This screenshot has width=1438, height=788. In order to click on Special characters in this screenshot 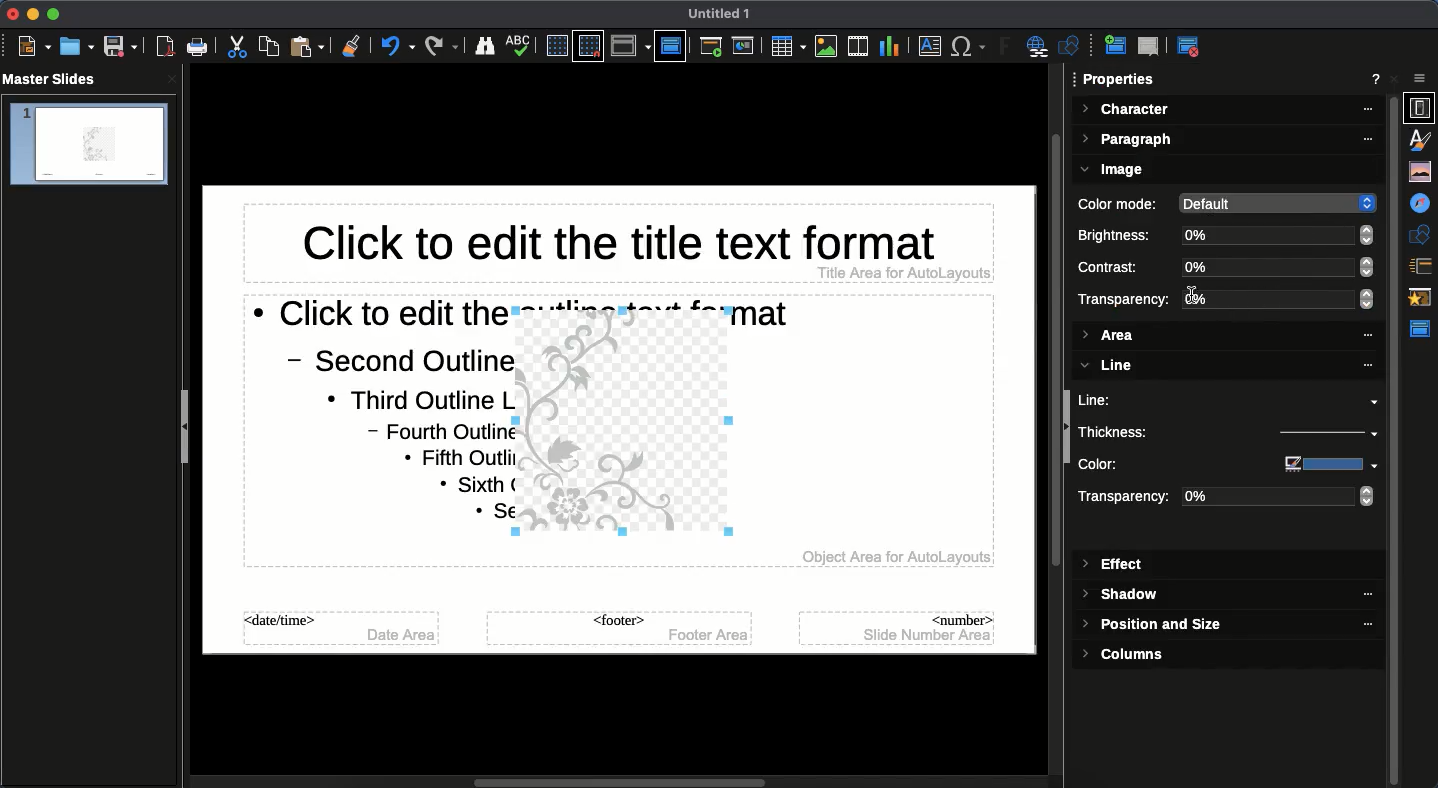, I will do `click(969, 47)`.